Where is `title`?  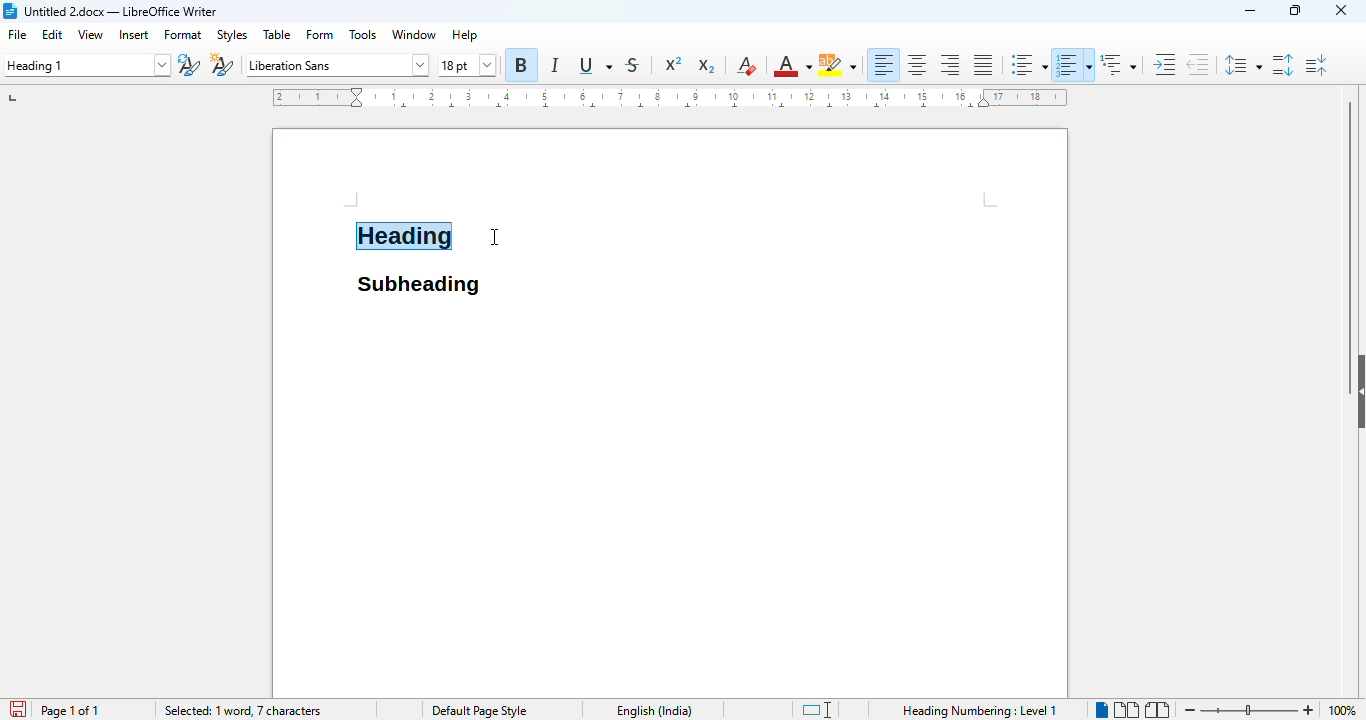
title is located at coordinates (121, 11).